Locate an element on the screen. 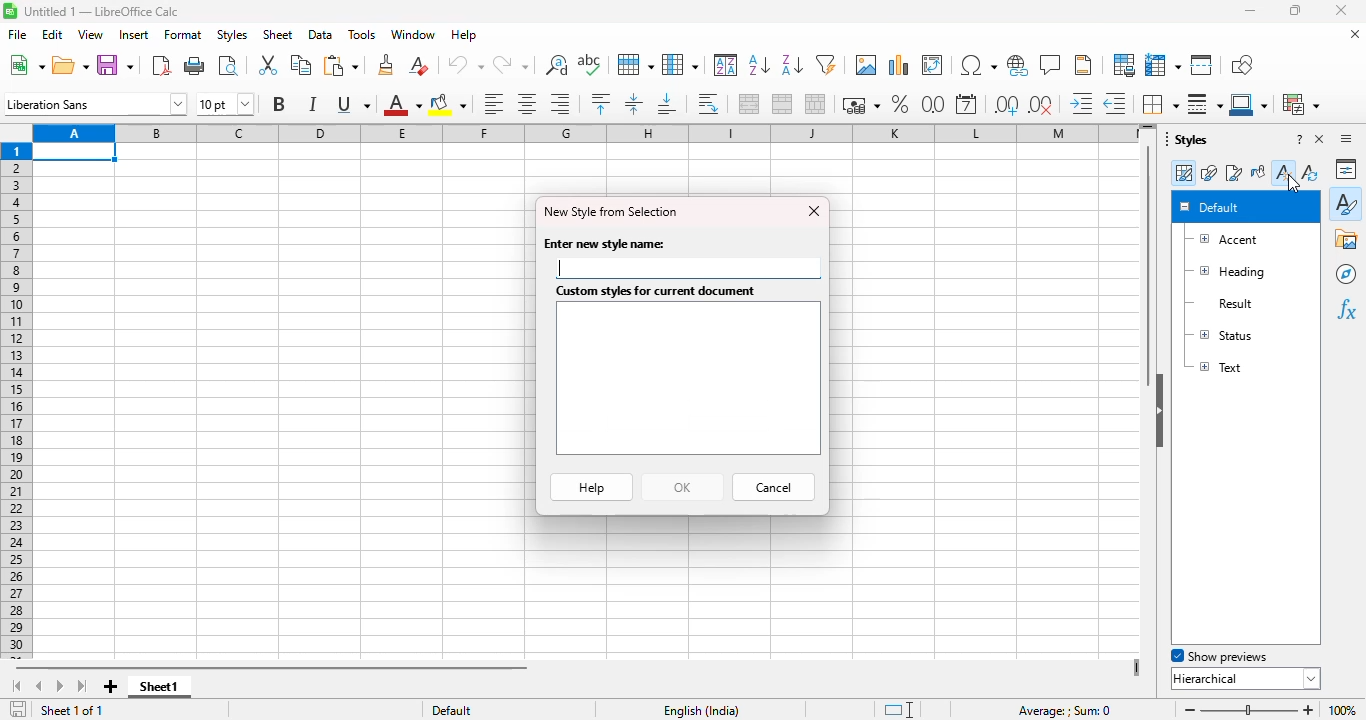 The height and width of the screenshot is (720, 1366). help is located at coordinates (592, 487).